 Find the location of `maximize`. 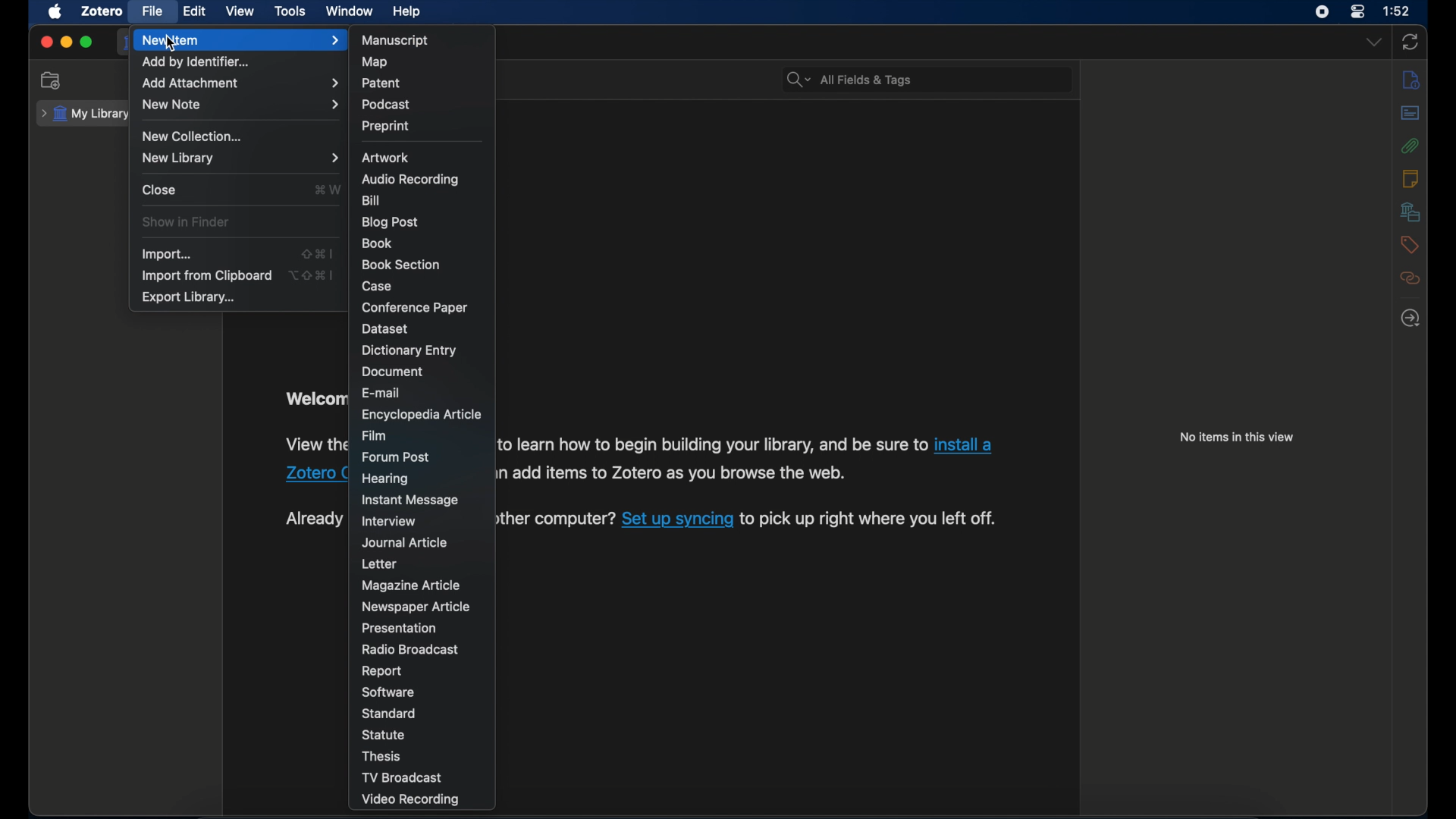

maximize is located at coordinates (86, 42).